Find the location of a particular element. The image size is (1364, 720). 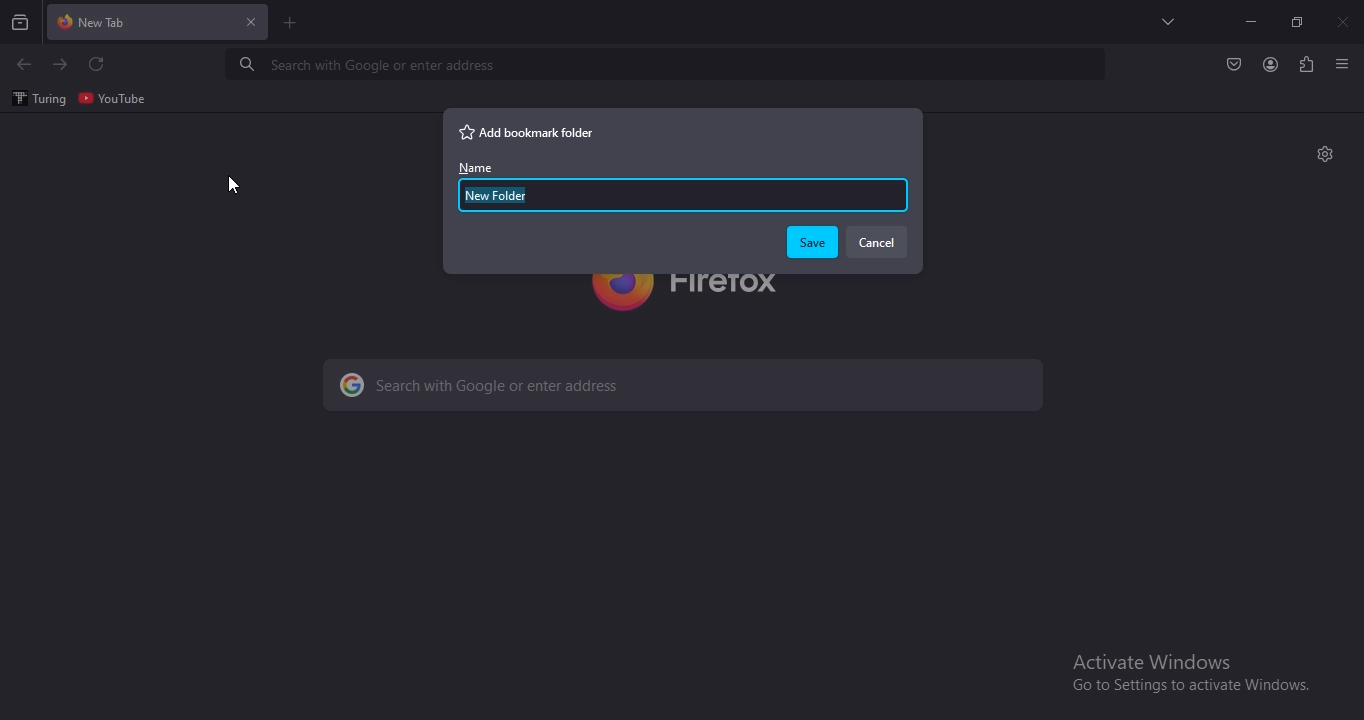

close is located at coordinates (1345, 21).